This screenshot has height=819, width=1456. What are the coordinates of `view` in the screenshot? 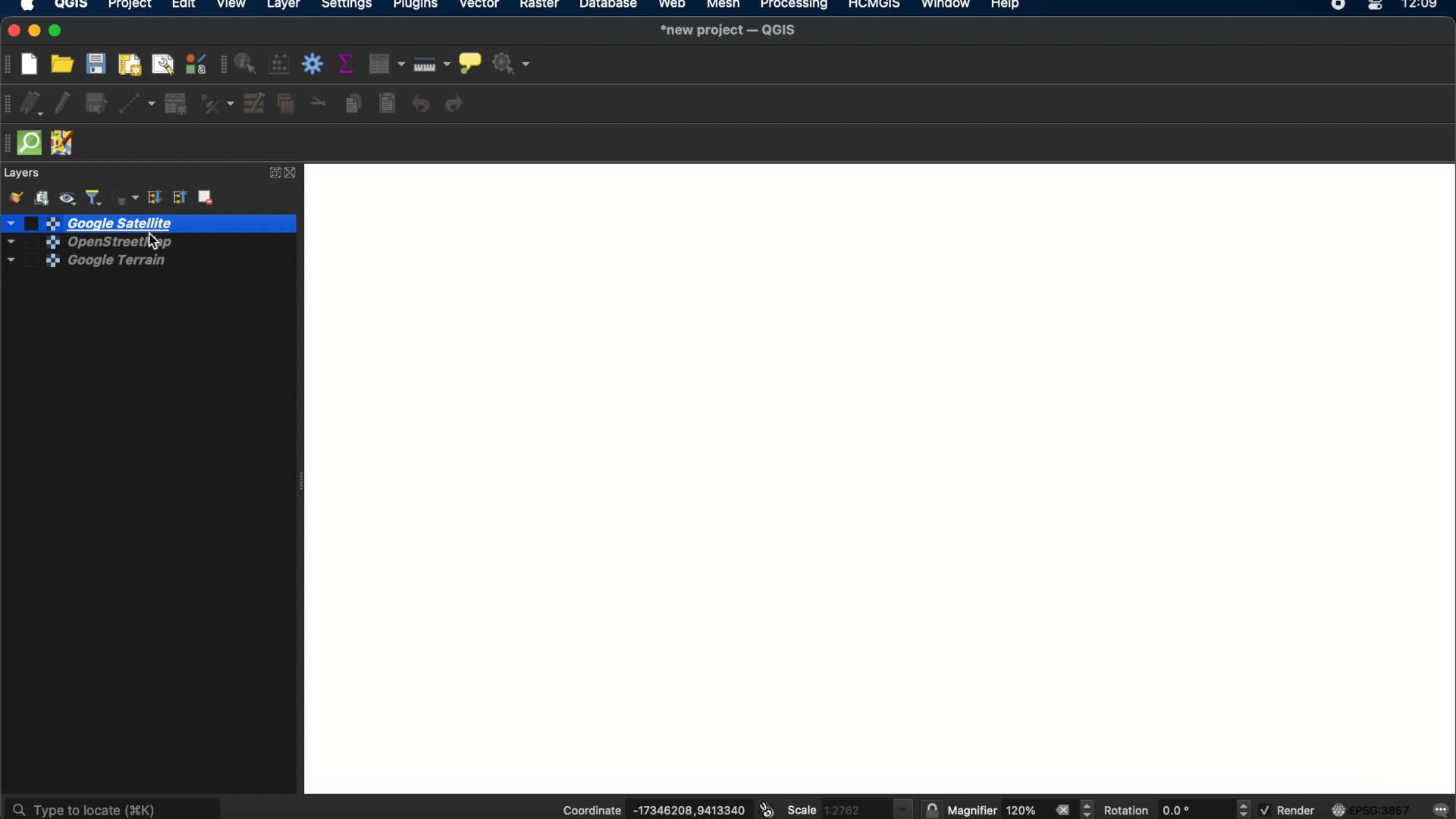 It's located at (233, 6).